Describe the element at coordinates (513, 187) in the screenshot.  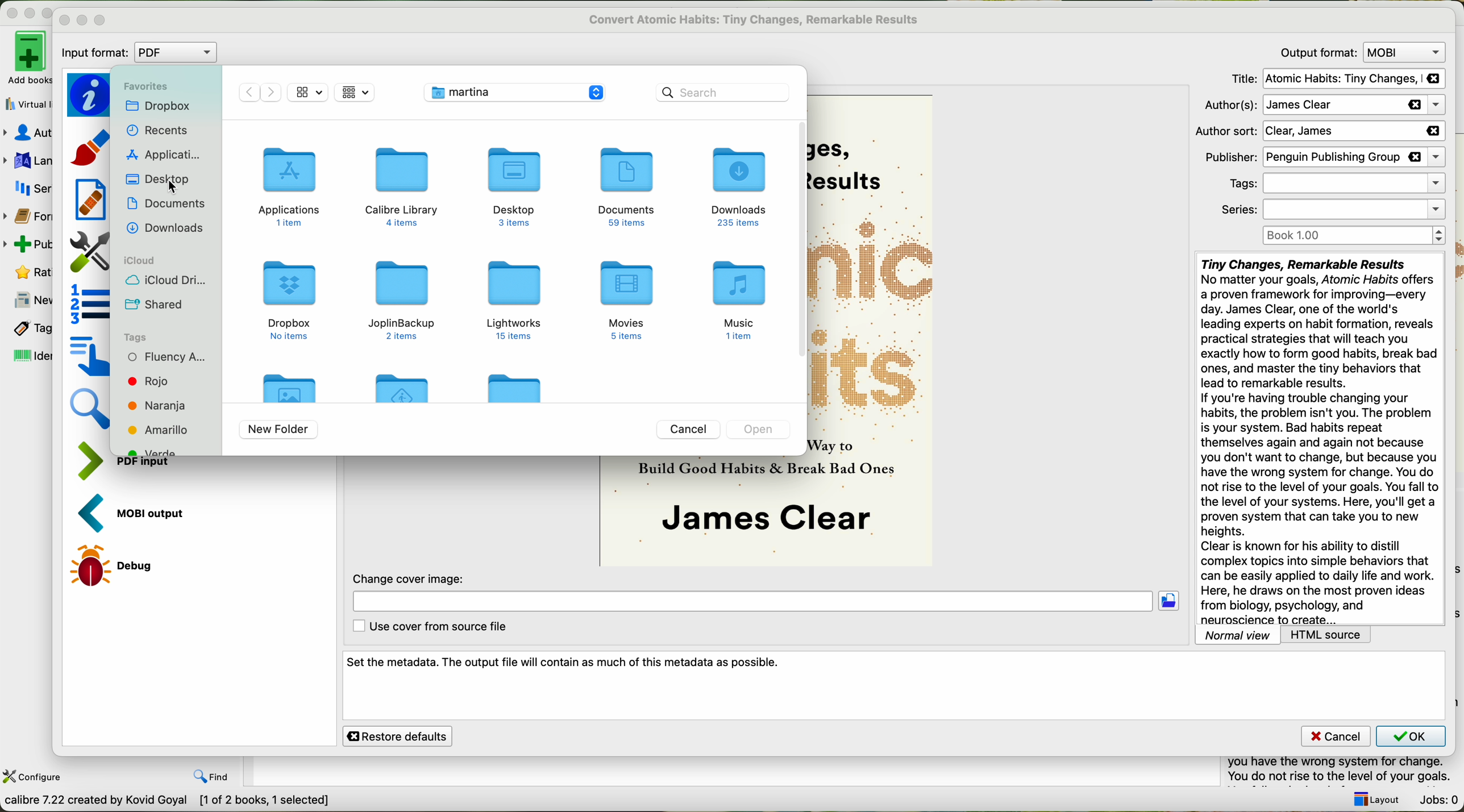
I see `desktop` at that location.